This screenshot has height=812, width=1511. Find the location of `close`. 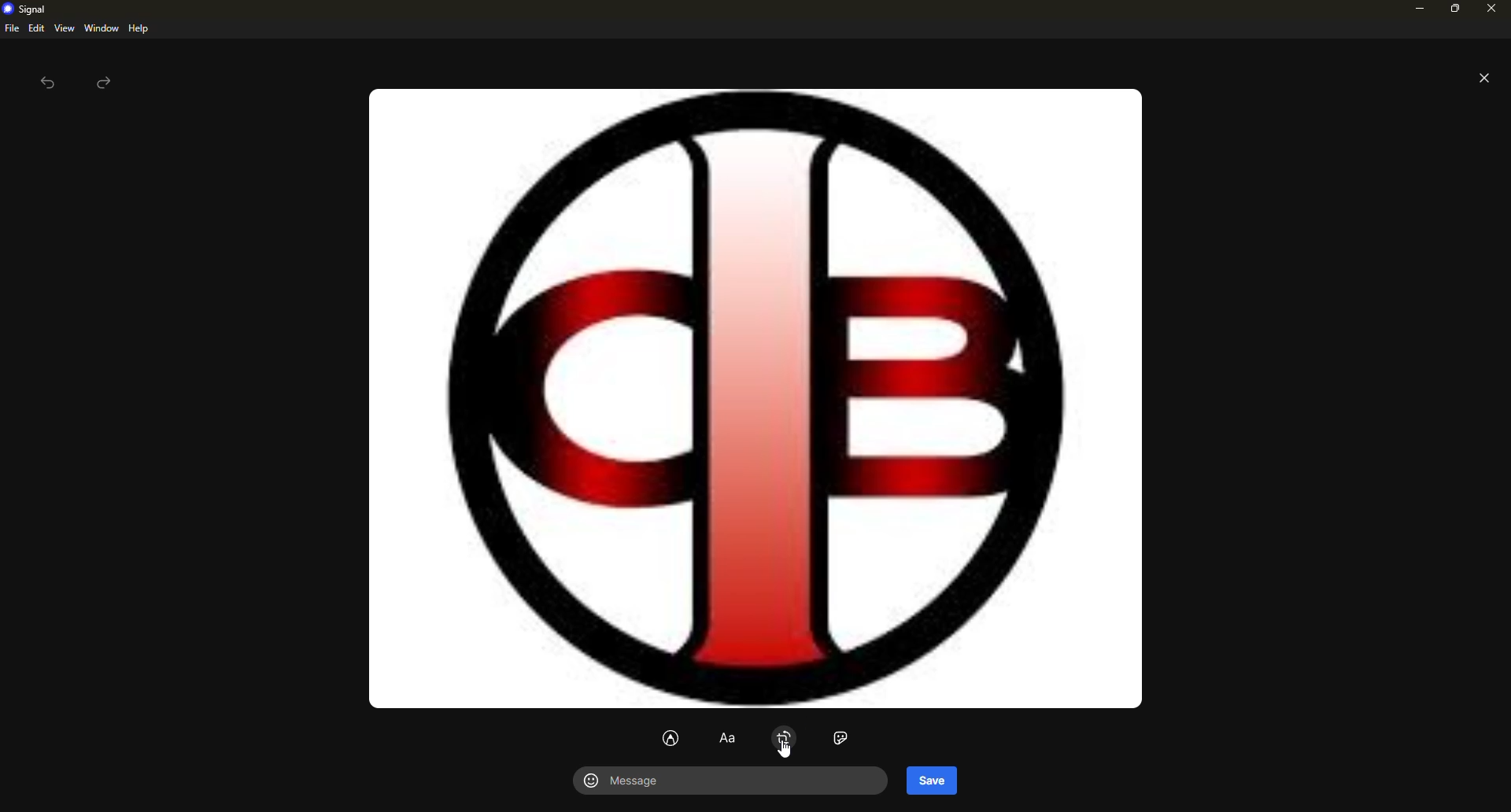

close is located at coordinates (1484, 80).